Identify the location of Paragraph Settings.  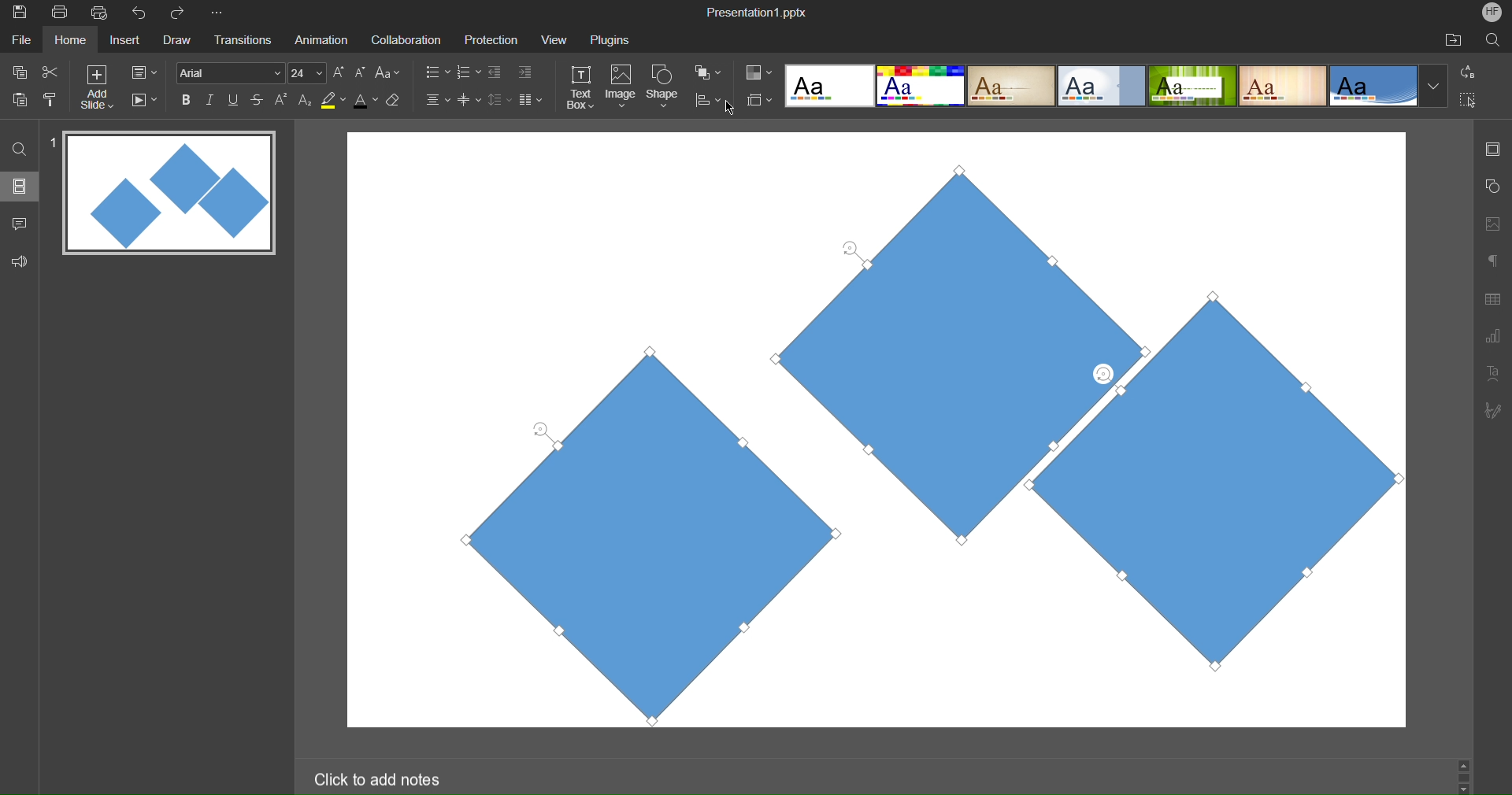
(1493, 260).